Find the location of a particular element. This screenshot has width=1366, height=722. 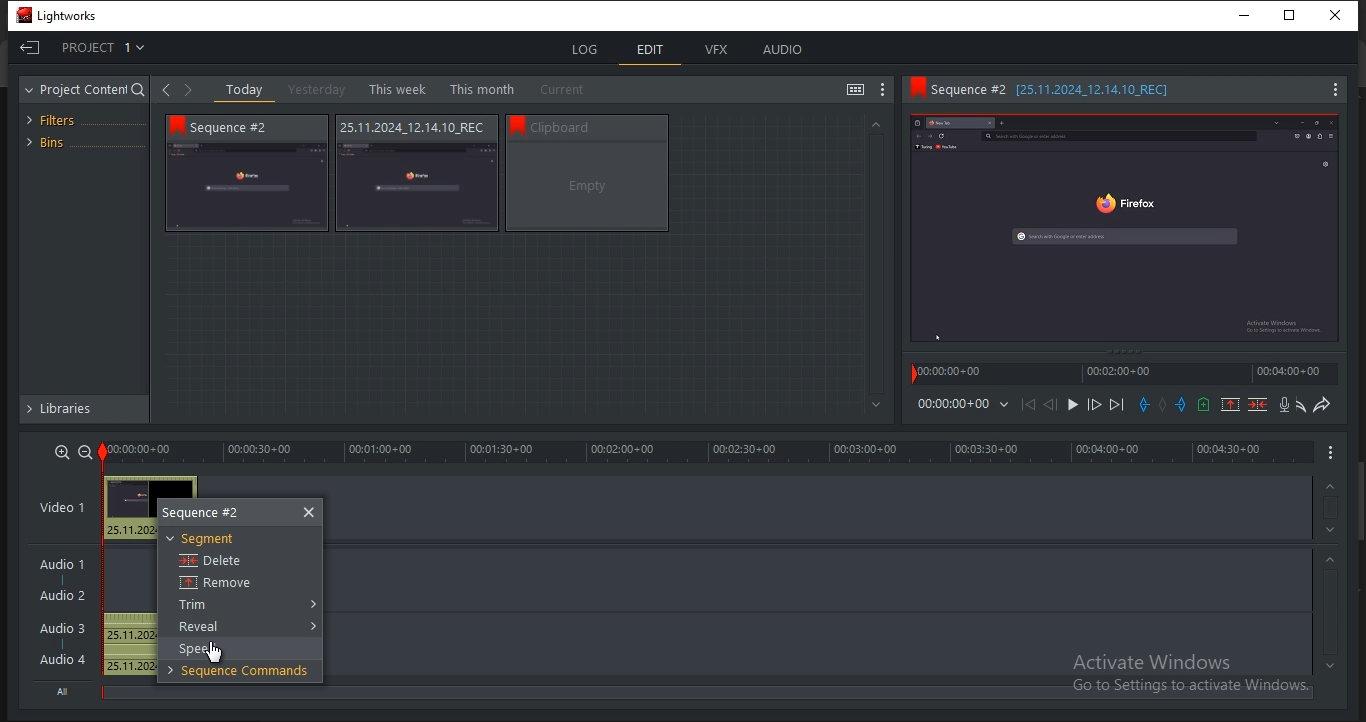

Menu is located at coordinates (1329, 89).